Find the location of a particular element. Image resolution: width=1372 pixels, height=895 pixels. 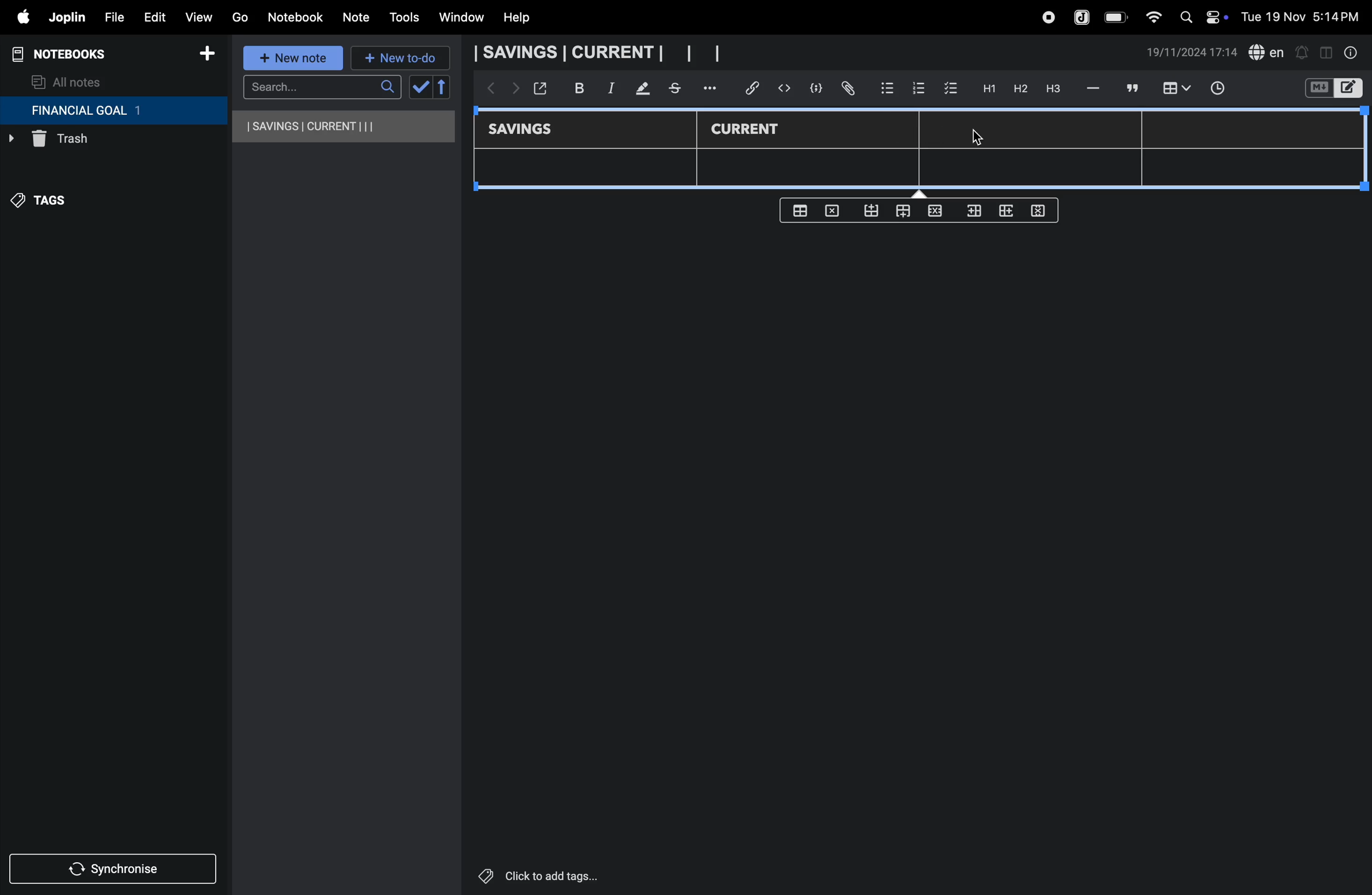

bullet list is located at coordinates (887, 87).